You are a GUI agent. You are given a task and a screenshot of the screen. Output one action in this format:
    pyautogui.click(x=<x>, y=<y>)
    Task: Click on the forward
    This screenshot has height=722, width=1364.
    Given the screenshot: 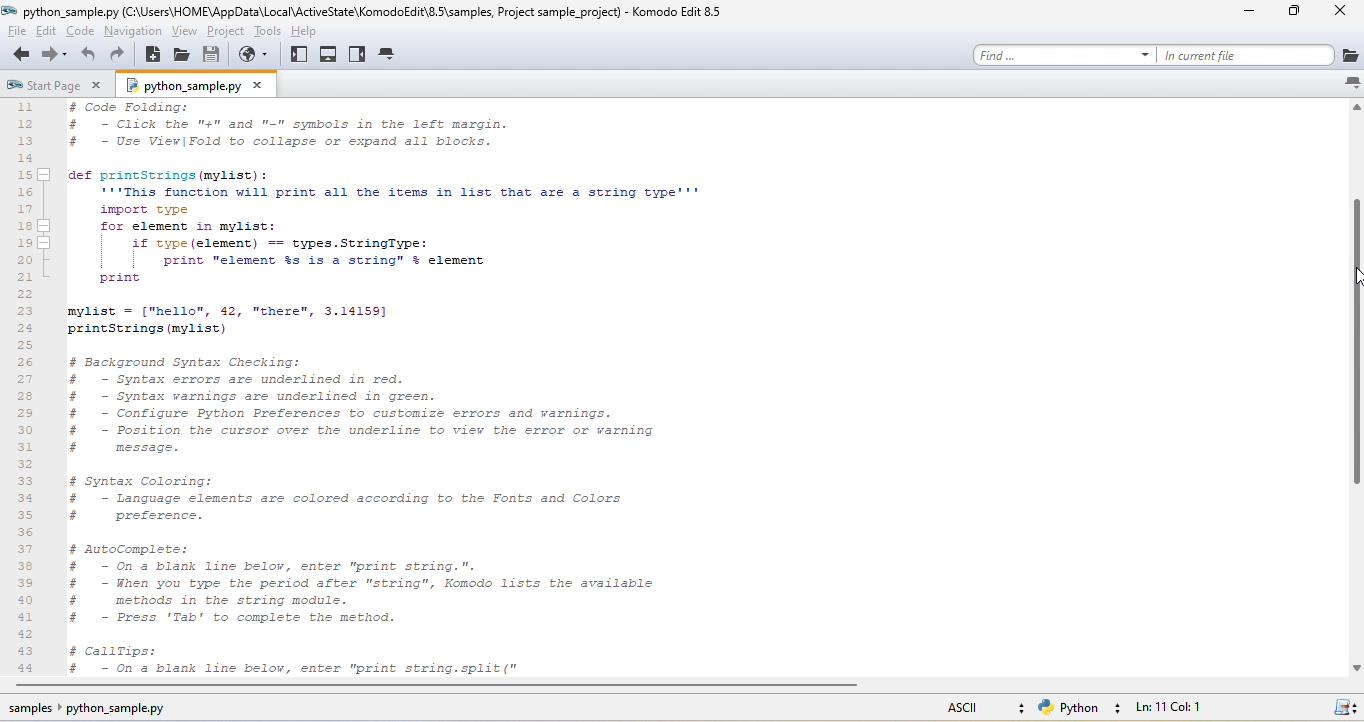 What is the action you would take?
    pyautogui.click(x=56, y=55)
    